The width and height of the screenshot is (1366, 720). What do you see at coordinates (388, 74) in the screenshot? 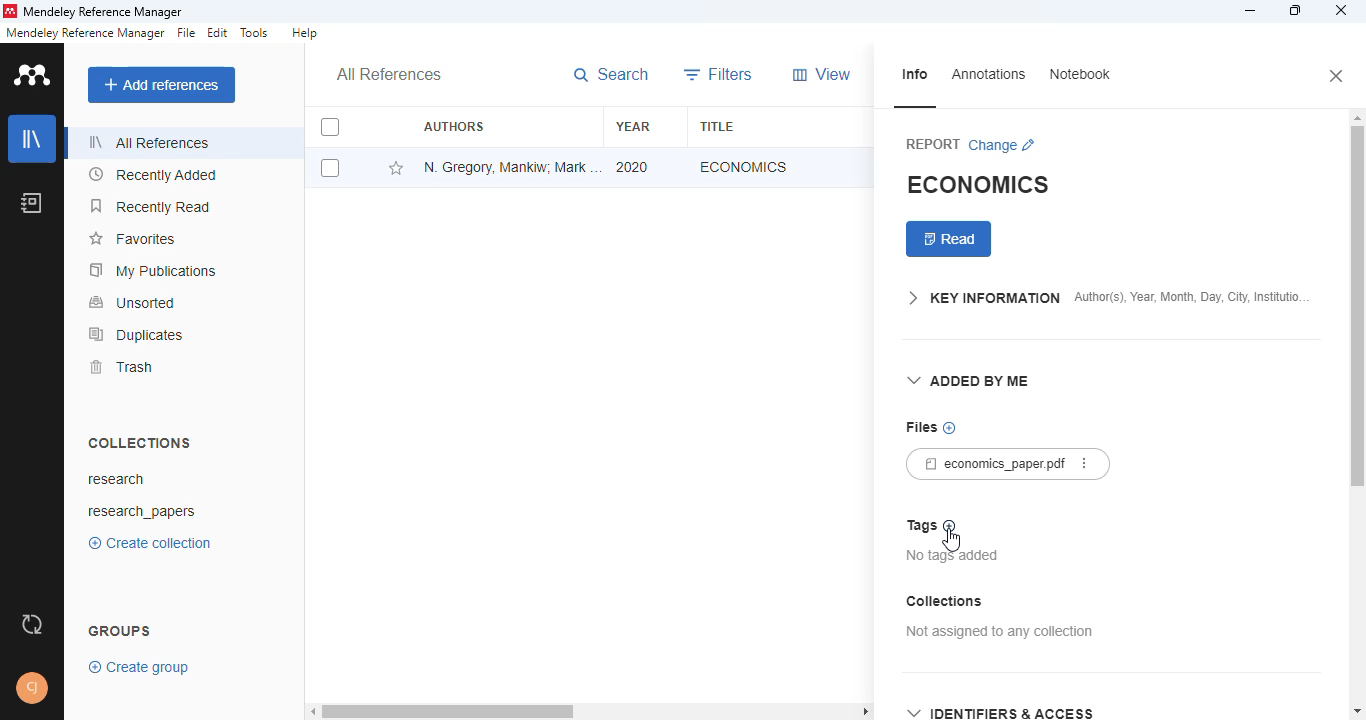
I see `all references` at bounding box center [388, 74].